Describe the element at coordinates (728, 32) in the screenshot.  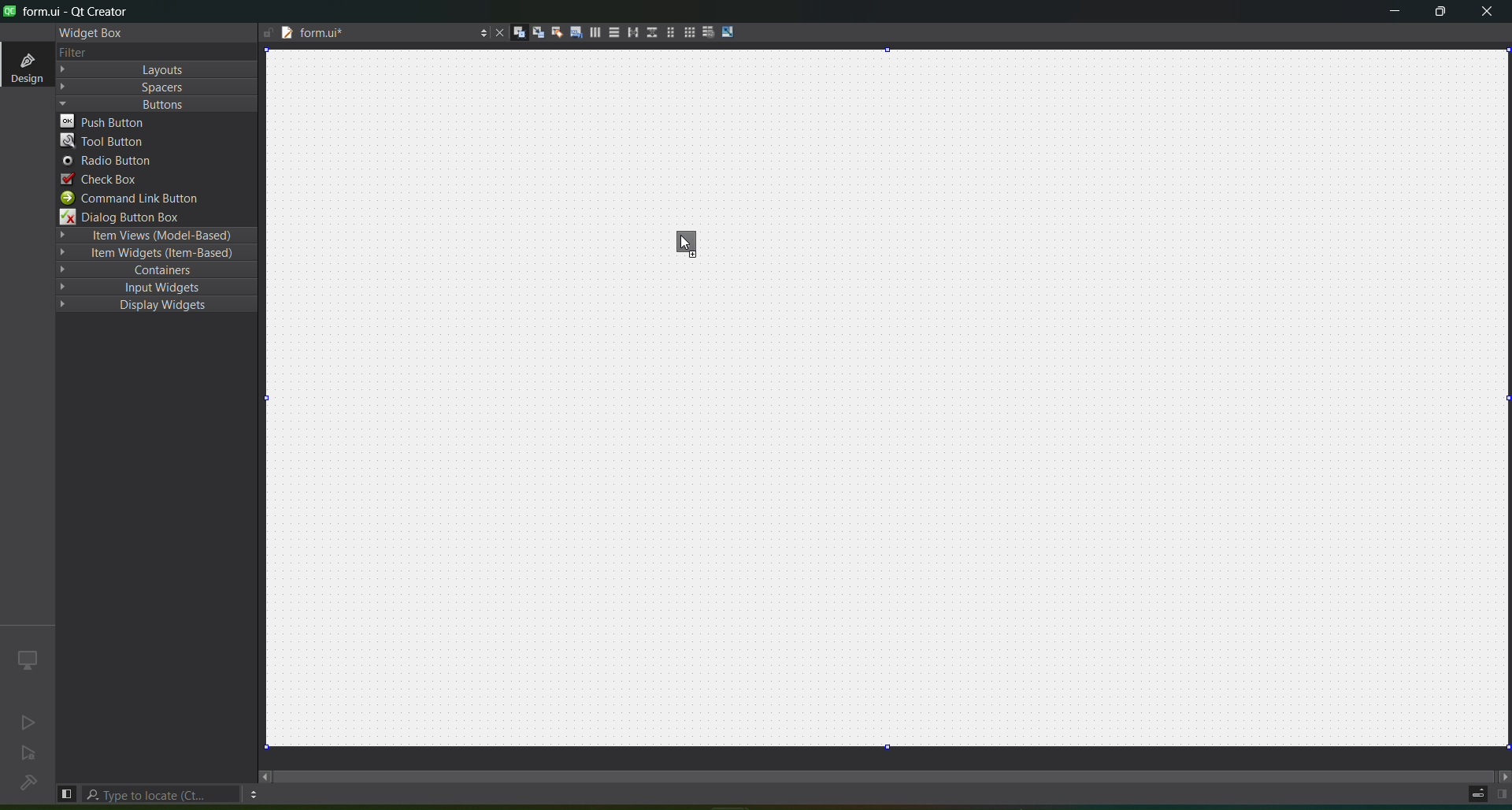
I see `adjust size` at that location.